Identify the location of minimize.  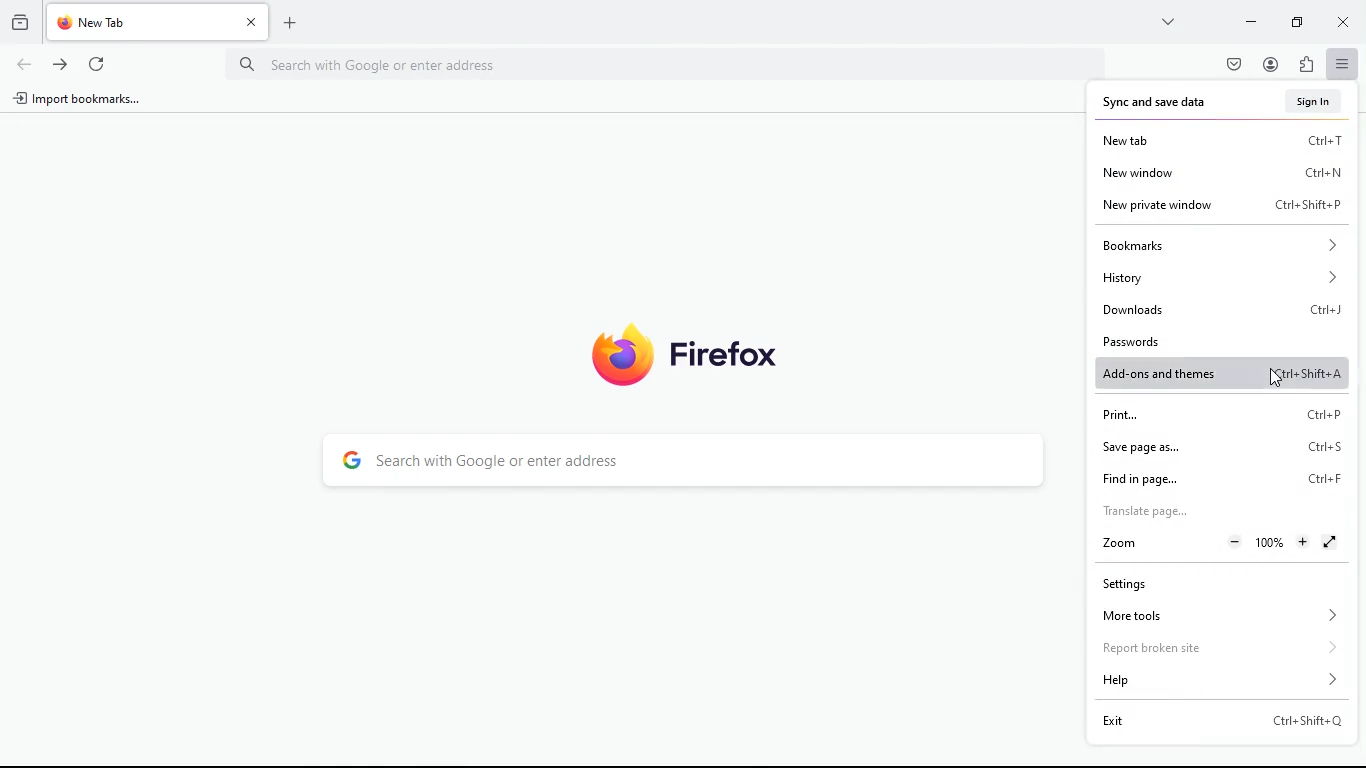
(1251, 21).